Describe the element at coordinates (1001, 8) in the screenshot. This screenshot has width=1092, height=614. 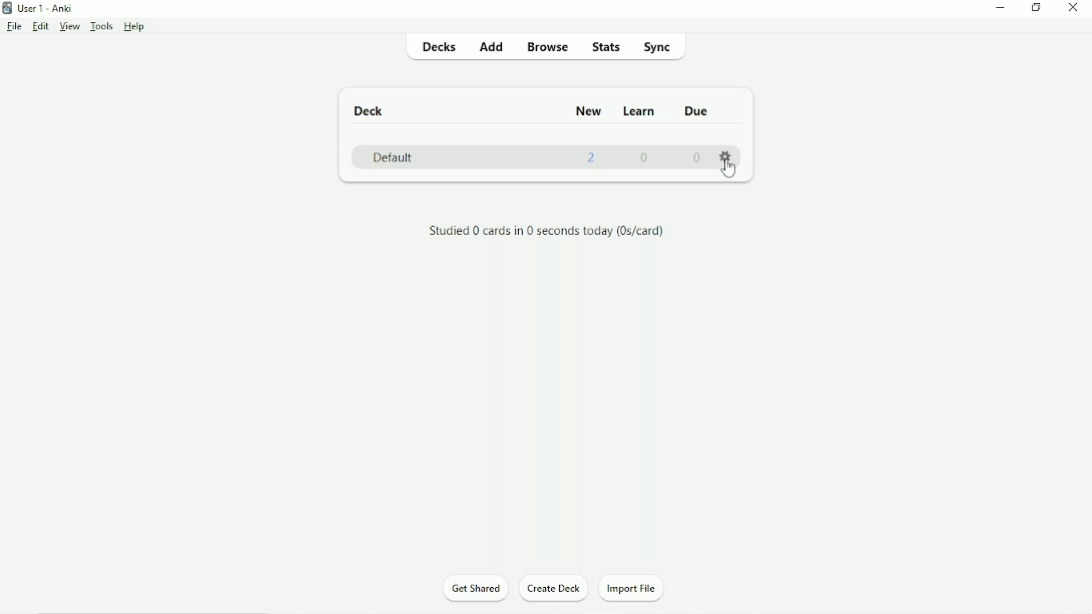
I see `Minimize` at that location.